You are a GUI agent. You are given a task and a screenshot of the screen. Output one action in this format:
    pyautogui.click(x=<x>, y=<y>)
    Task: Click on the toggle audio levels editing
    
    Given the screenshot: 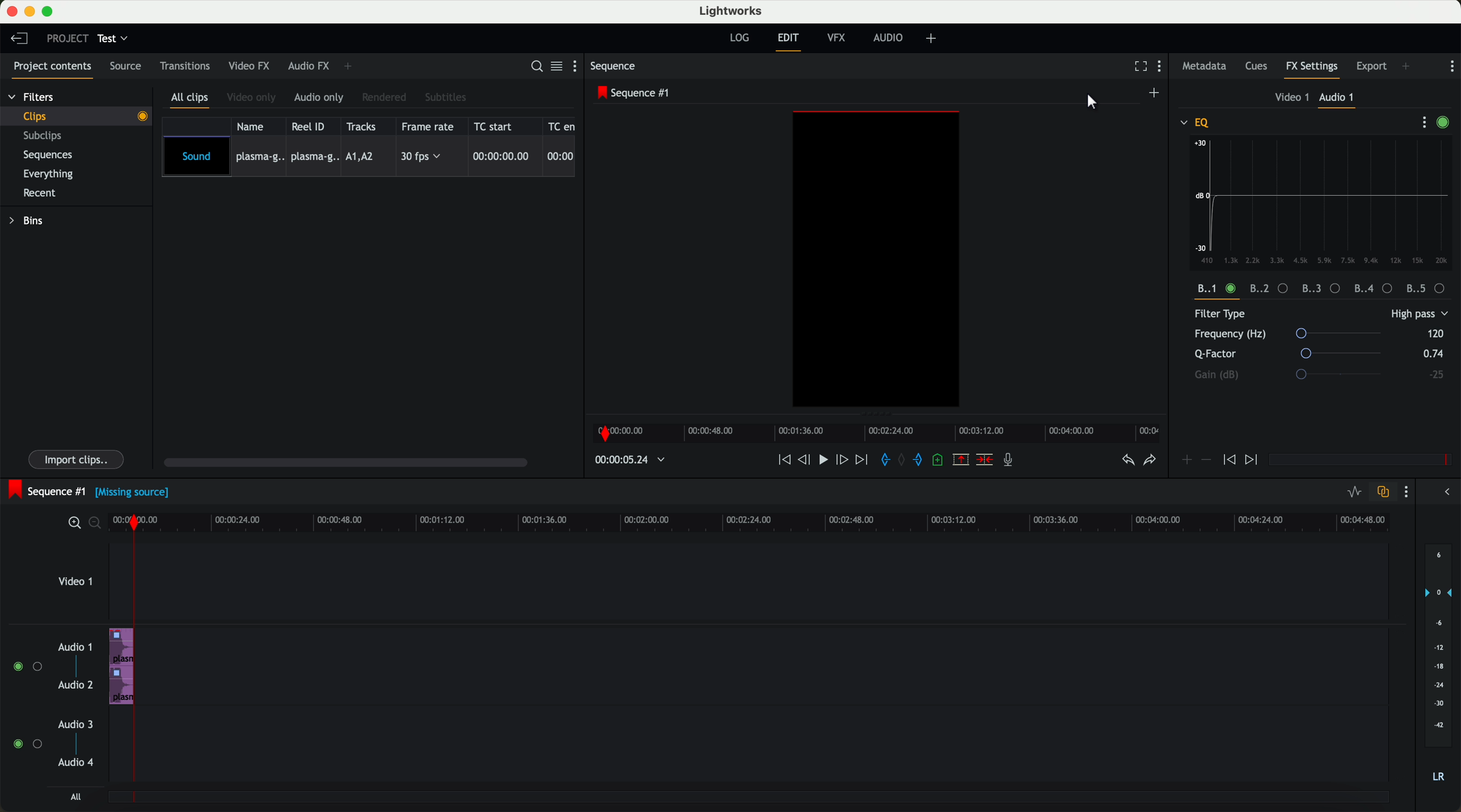 What is the action you would take?
    pyautogui.click(x=1354, y=492)
    